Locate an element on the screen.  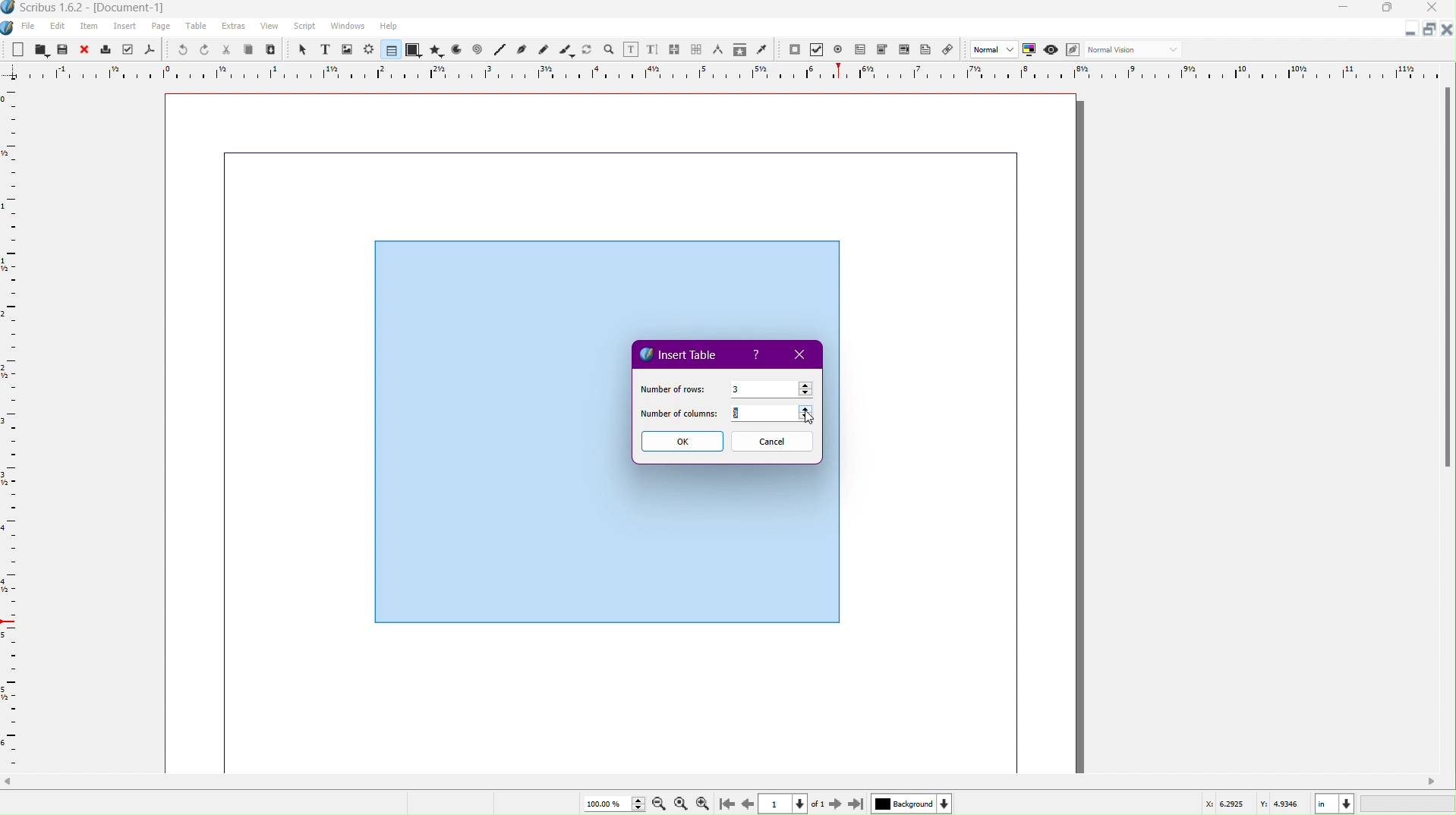
Edit Contents of Frame is located at coordinates (632, 49).